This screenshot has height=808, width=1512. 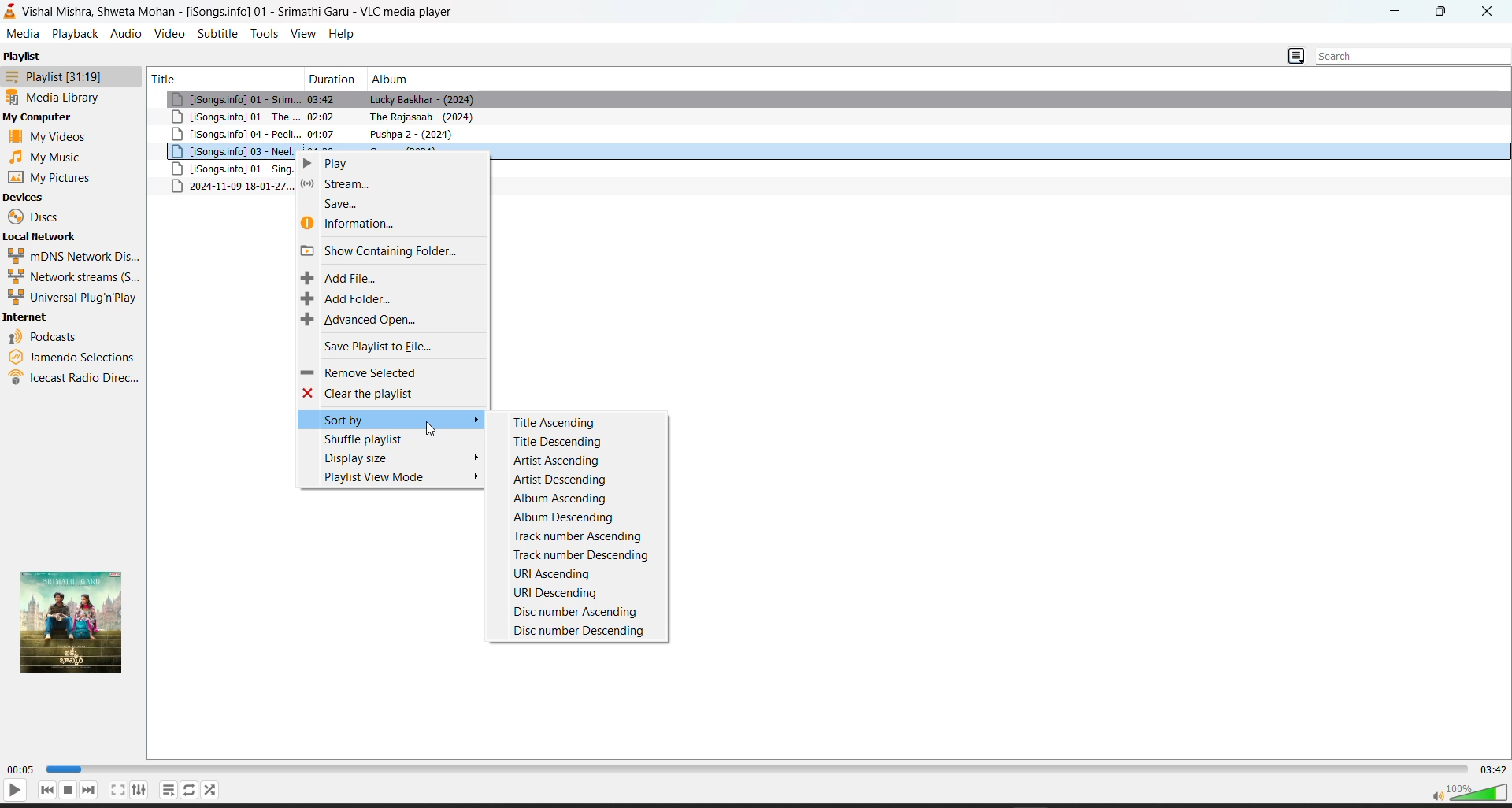 What do you see at coordinates (190, 789) in the screenshot?
I see `playlist` at bounding box center [190, 789].